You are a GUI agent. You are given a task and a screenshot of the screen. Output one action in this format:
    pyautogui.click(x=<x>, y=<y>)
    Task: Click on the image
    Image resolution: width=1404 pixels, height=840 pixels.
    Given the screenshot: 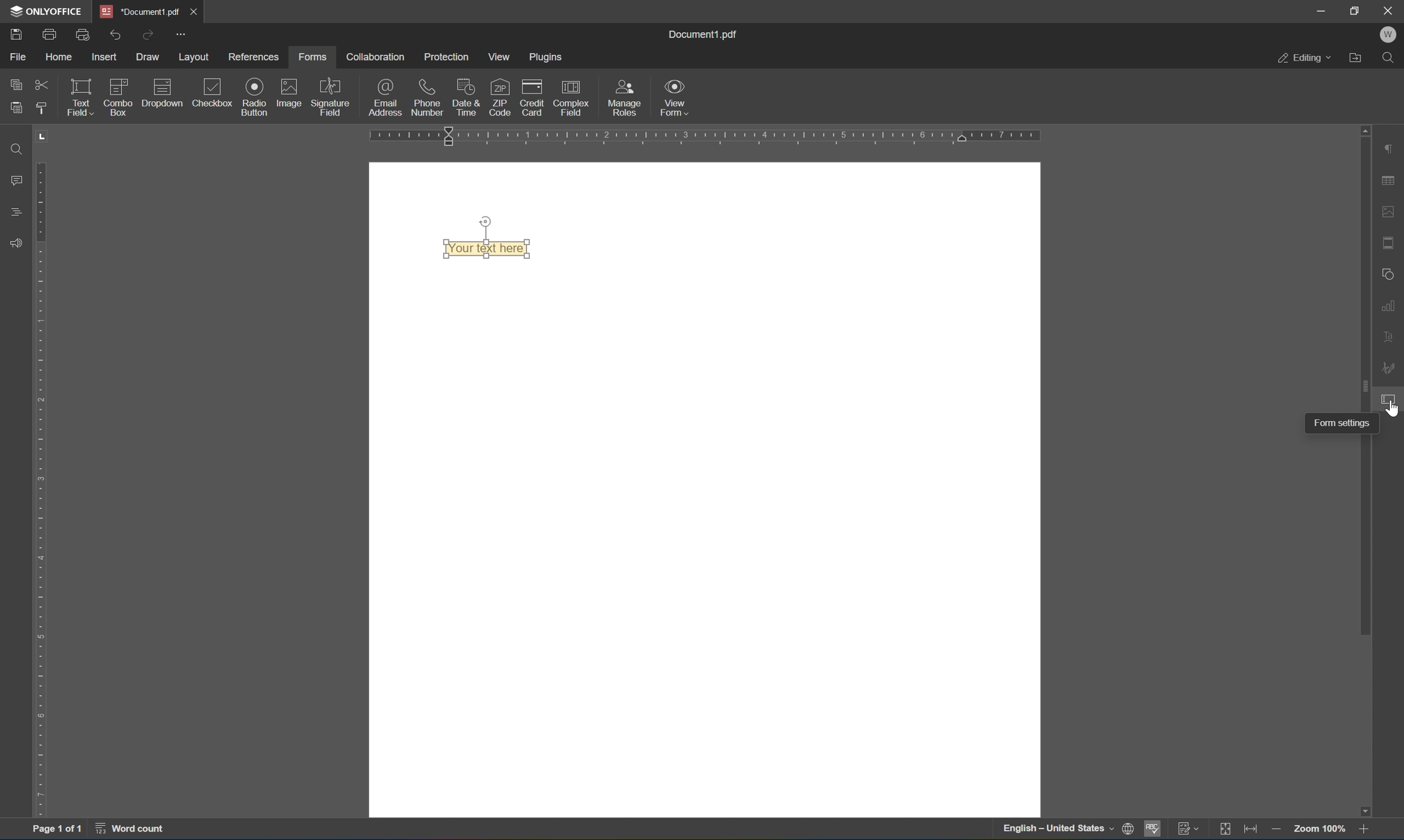 What is the action you would take?
    pyautogui.click(x=288, y=96)
    